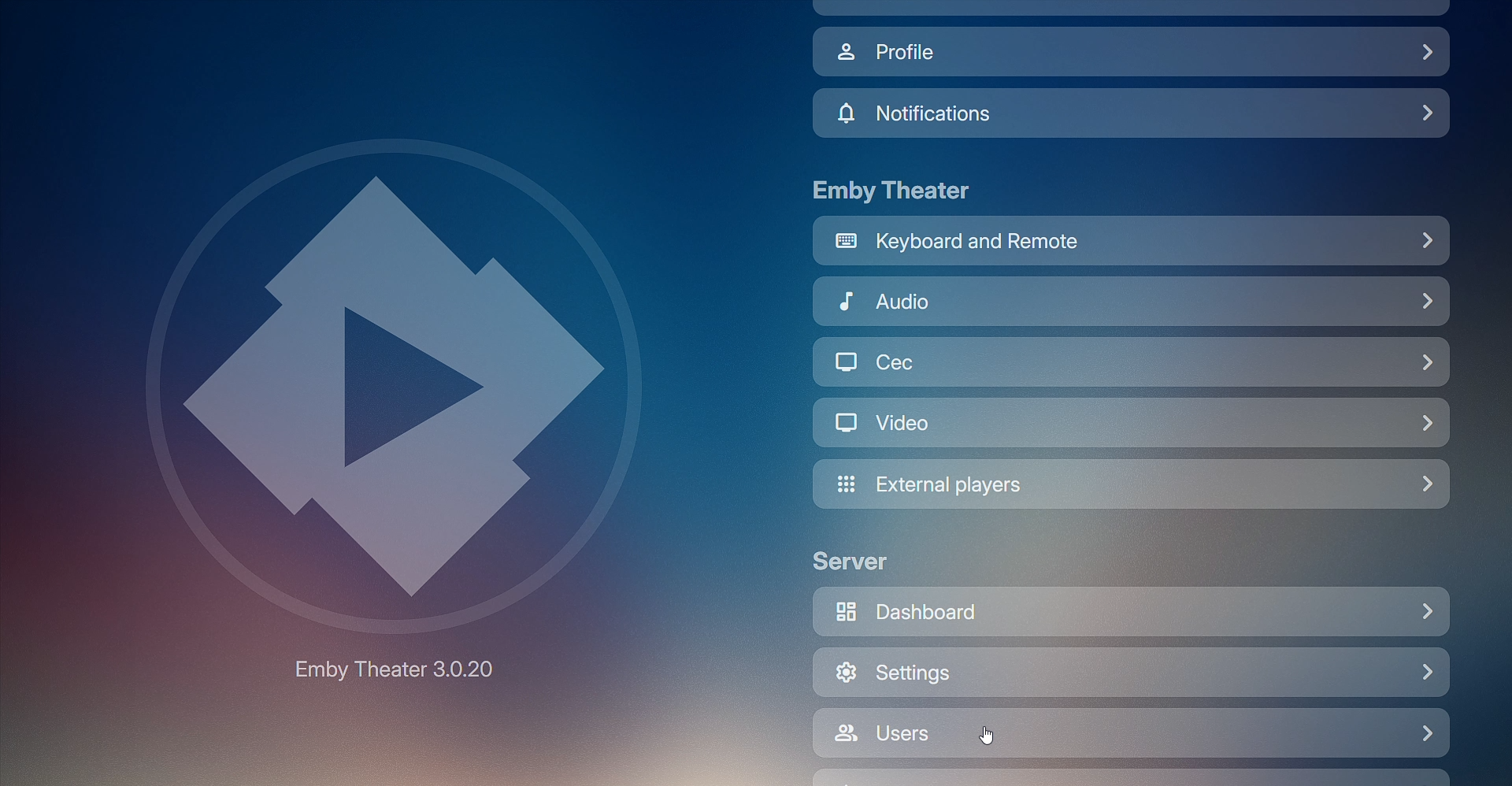 This screenshot has height=786, width=1512. Describe the element at coordinates (1131, 53) in the screenshot. I see `Profile` at that location.